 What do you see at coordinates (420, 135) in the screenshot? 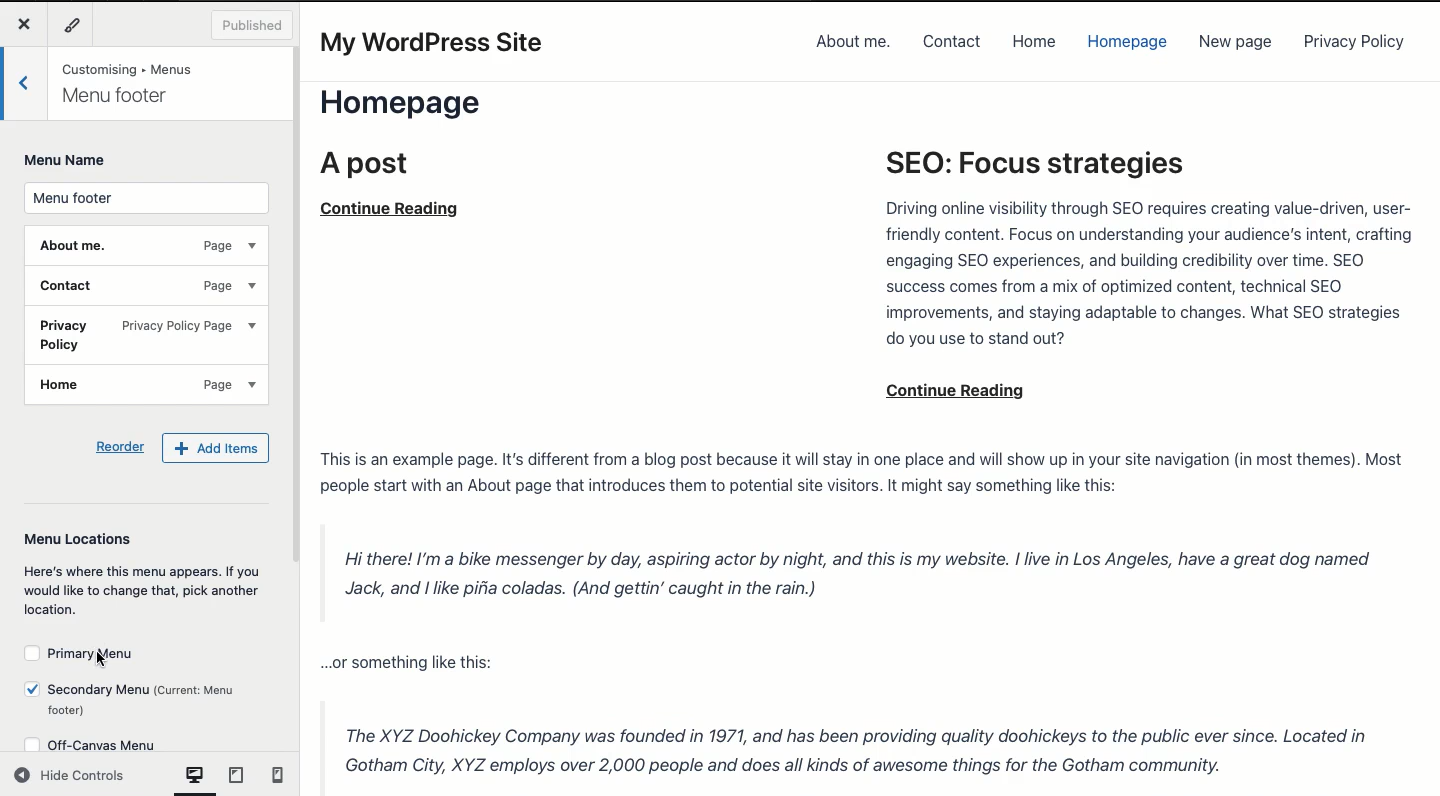
I see `Home page` at bounding box center [420, 135].